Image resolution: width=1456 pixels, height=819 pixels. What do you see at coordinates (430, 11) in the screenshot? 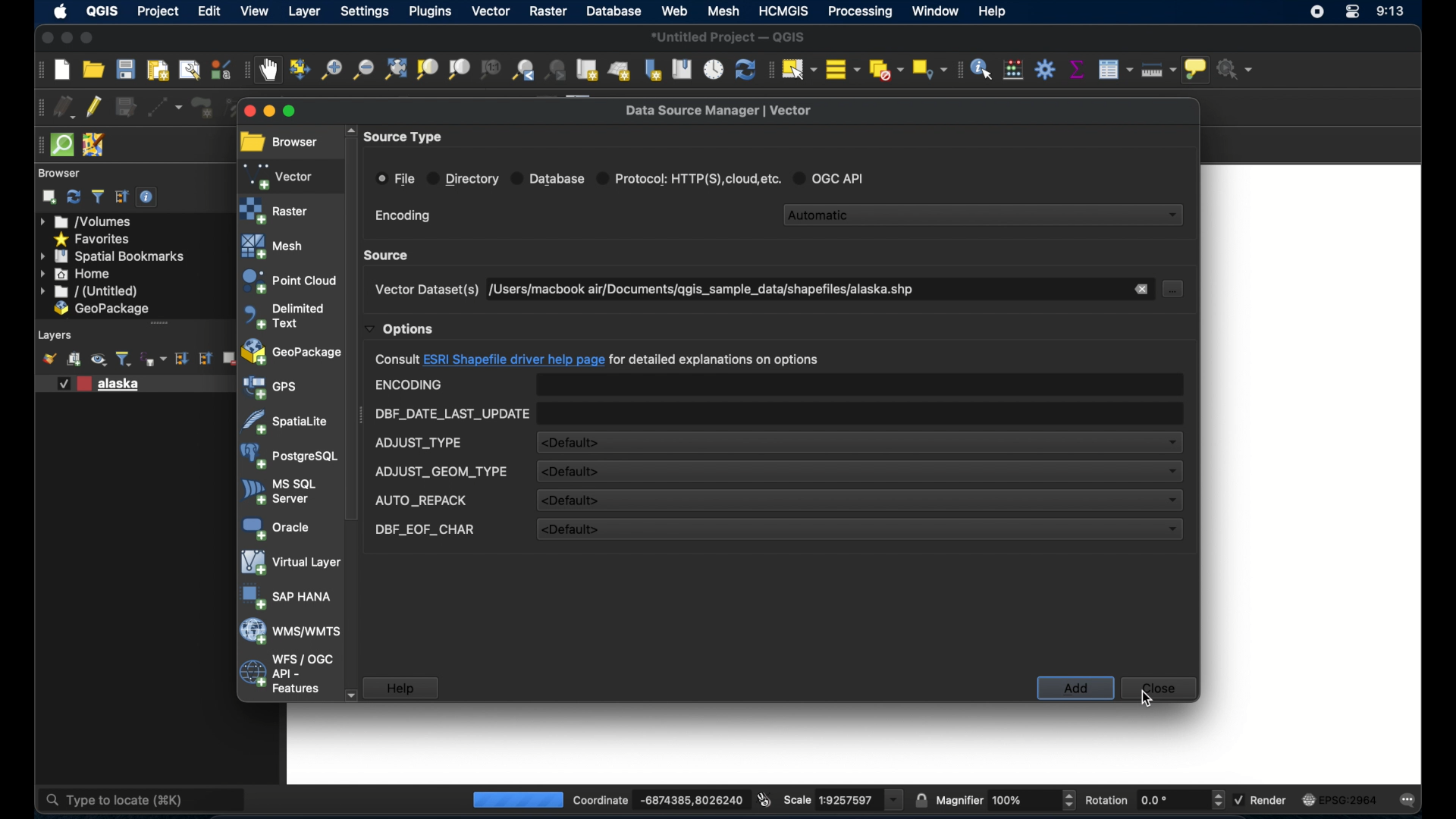
I see `plugins` at bounding box center [430, 11].